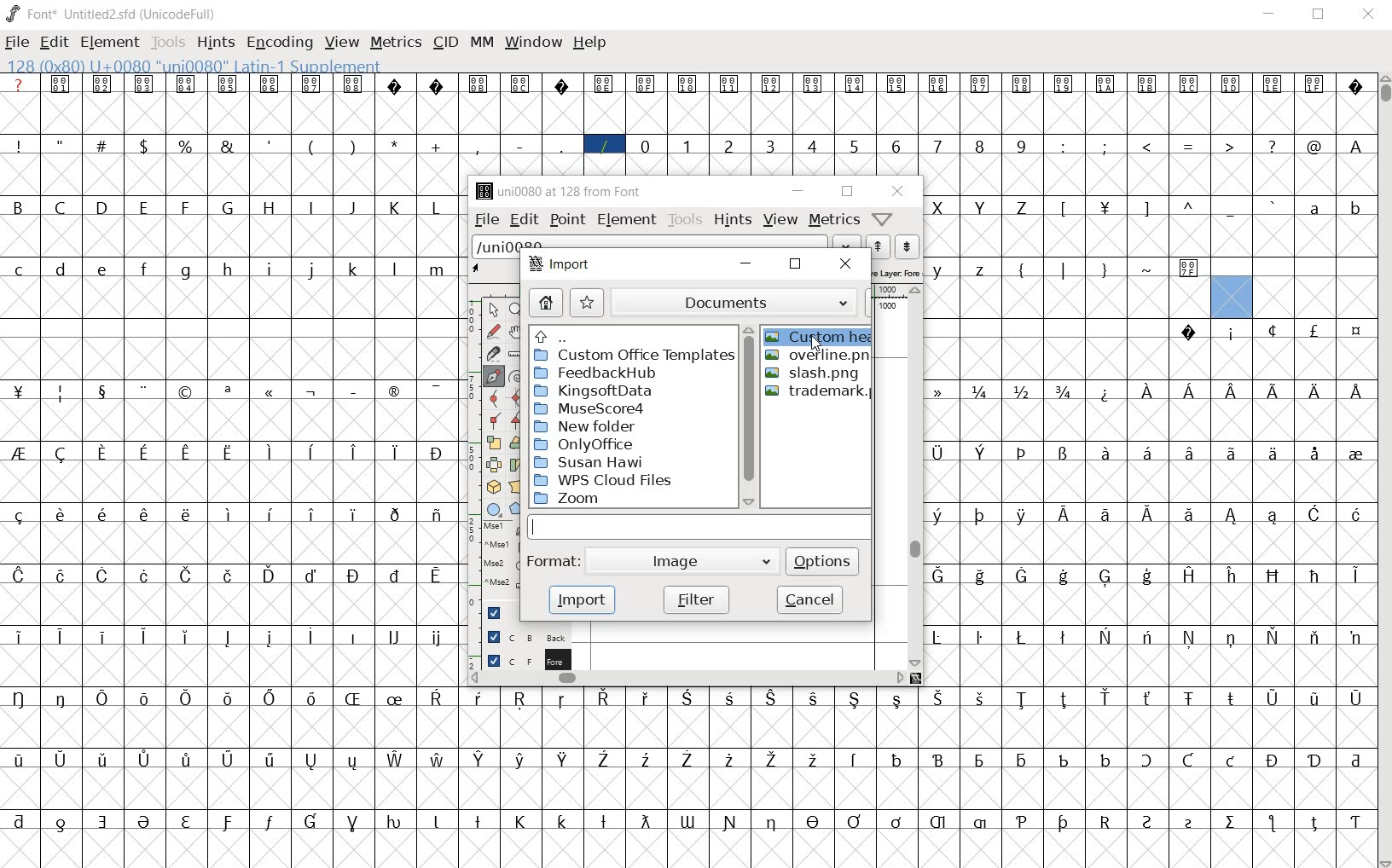  Describe the element at coordinates (562, 86) in the screenshot. I see `glyph` at that location.